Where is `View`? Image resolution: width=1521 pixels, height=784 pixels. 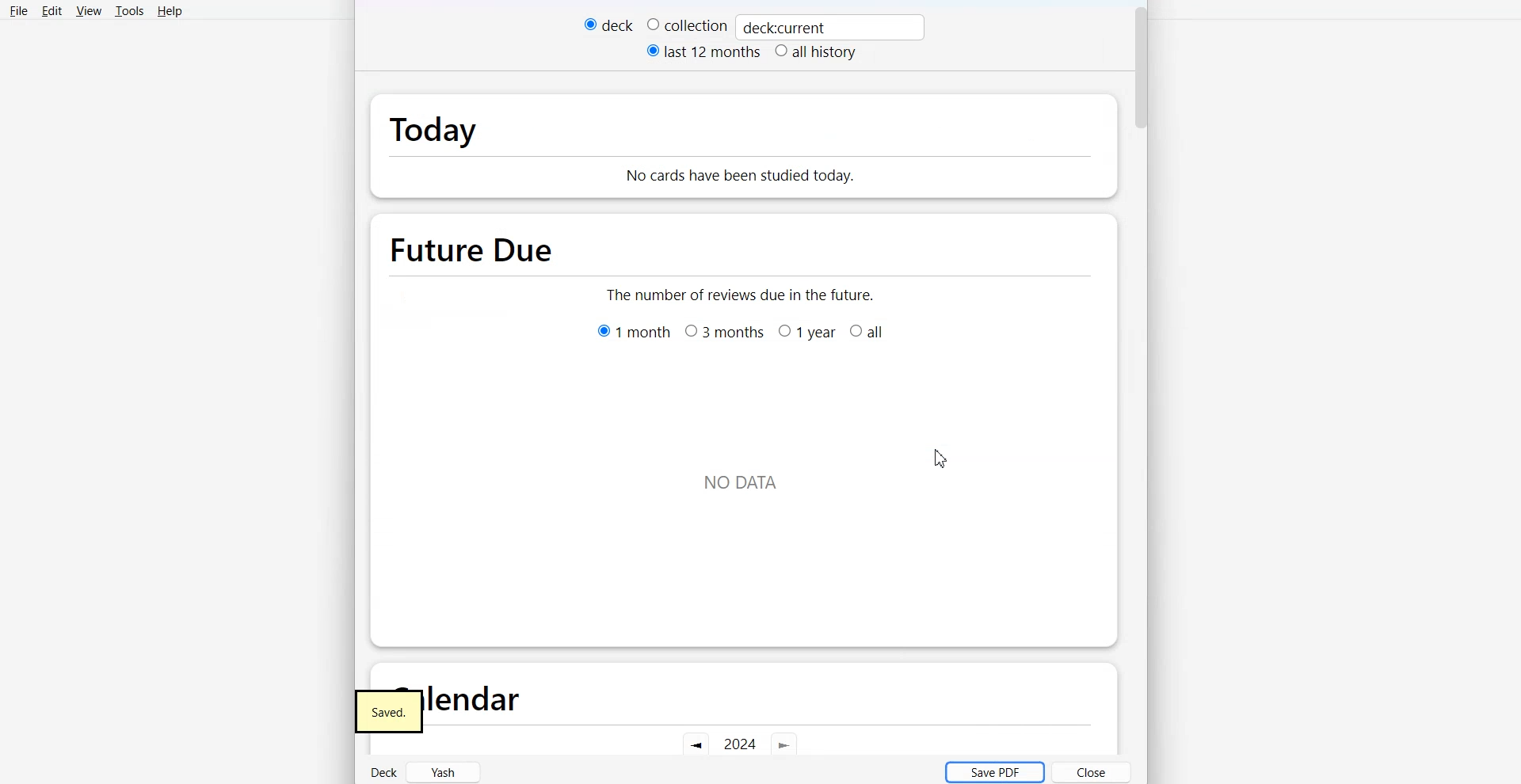
View is located at coordinates (88, 11).